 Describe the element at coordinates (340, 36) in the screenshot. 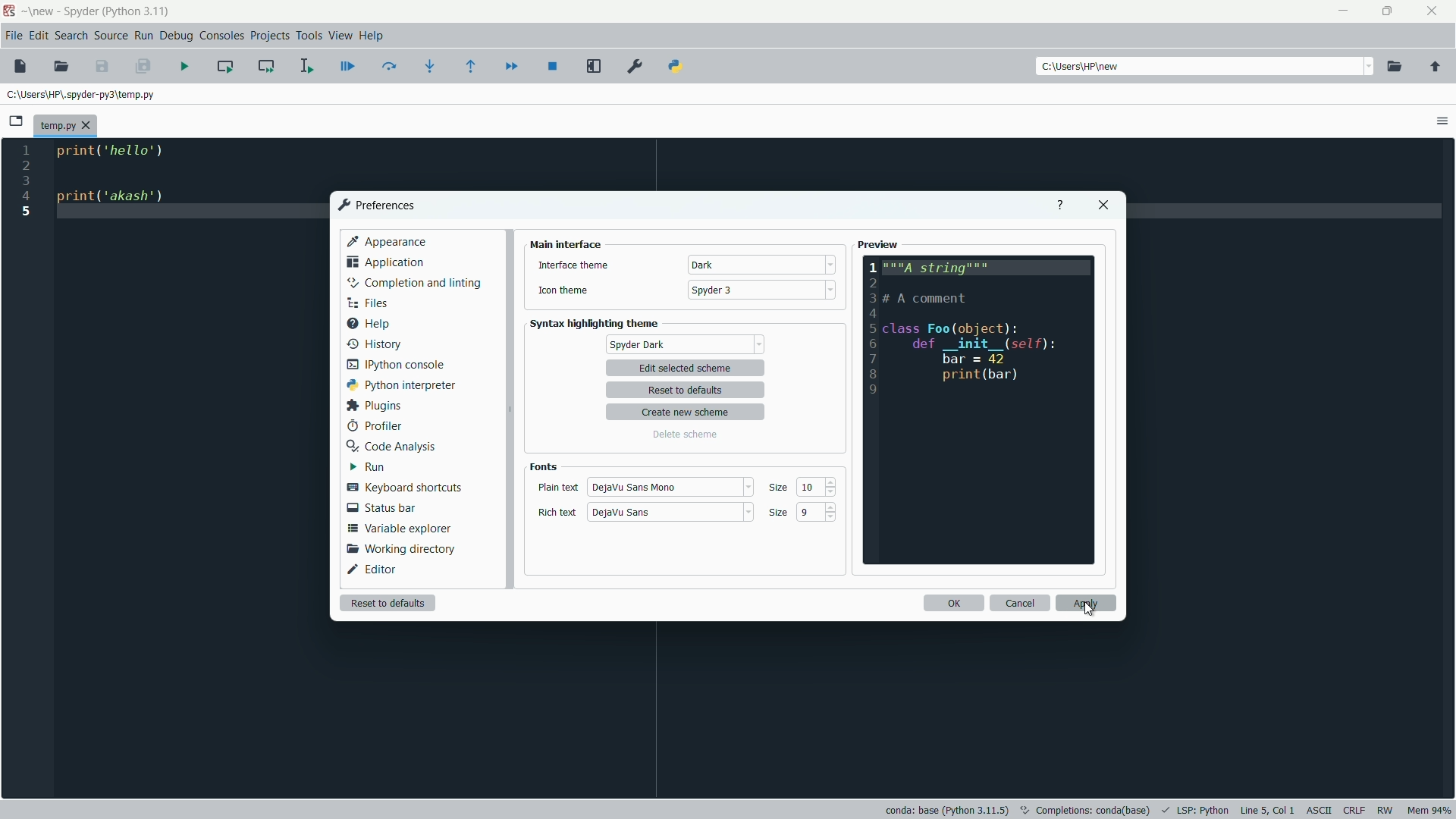

I see `view menu` at that location.